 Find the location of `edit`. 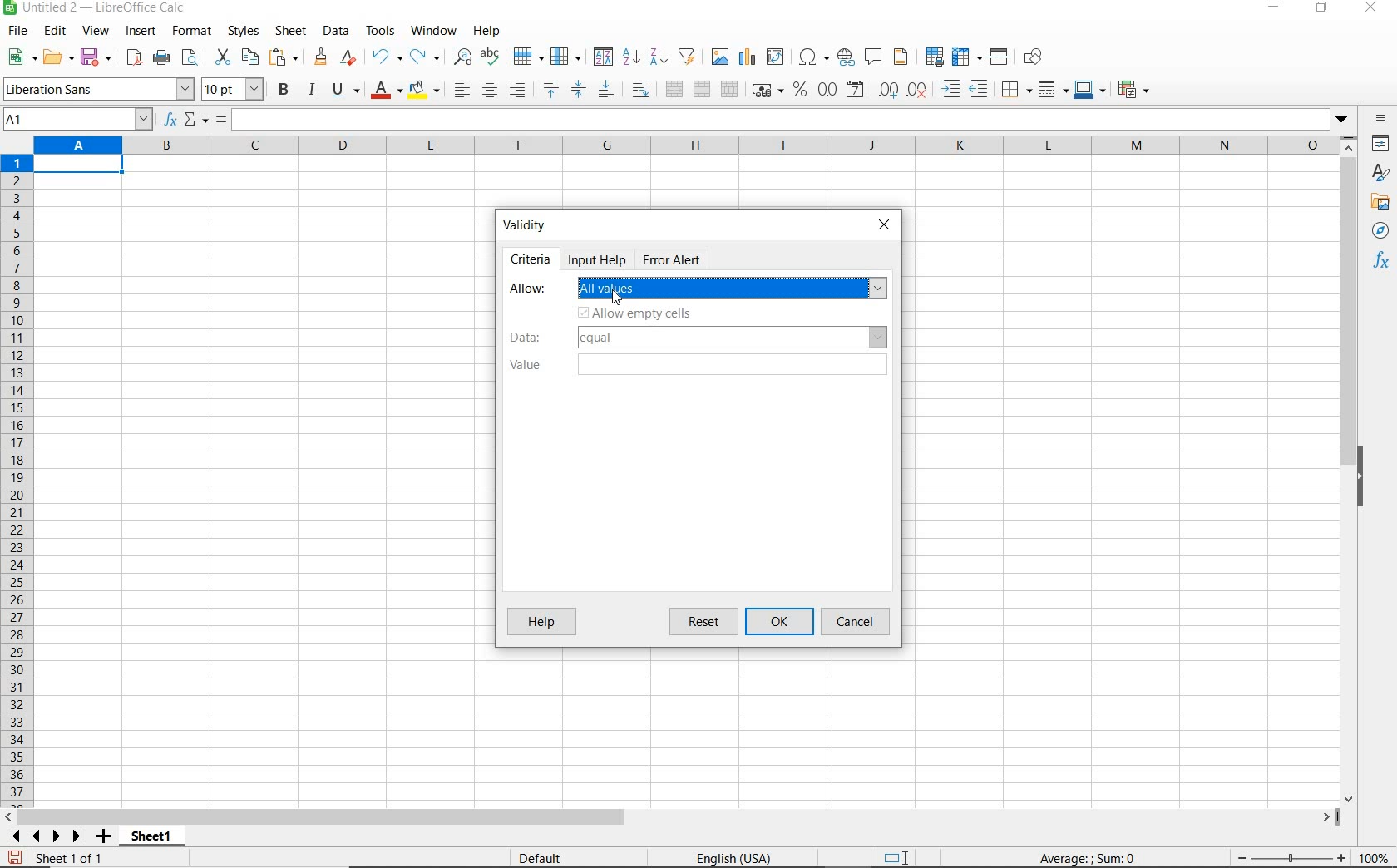

edit is located at coordinates (56, 33).